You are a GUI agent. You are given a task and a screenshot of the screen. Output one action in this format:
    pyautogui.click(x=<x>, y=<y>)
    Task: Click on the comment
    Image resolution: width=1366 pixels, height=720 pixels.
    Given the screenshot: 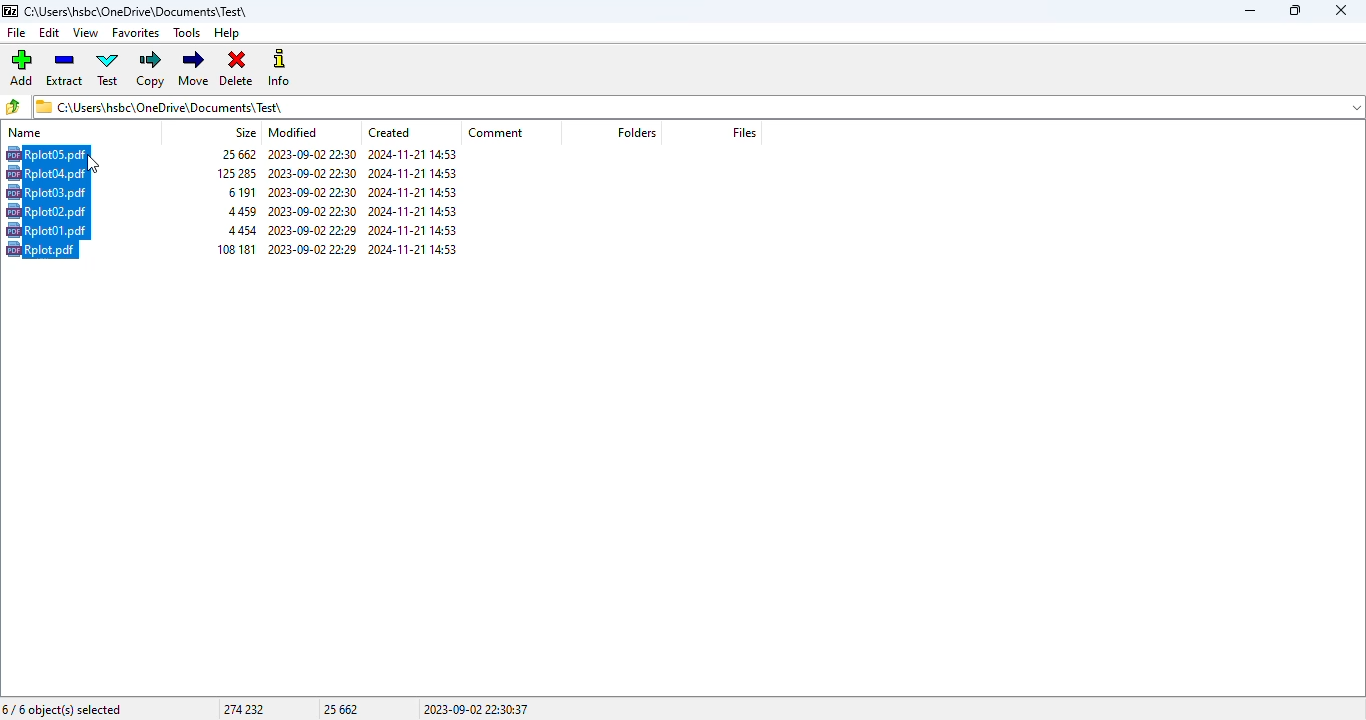 What is the action you would take?
    pyautogui.click(x=496, y=132)
    